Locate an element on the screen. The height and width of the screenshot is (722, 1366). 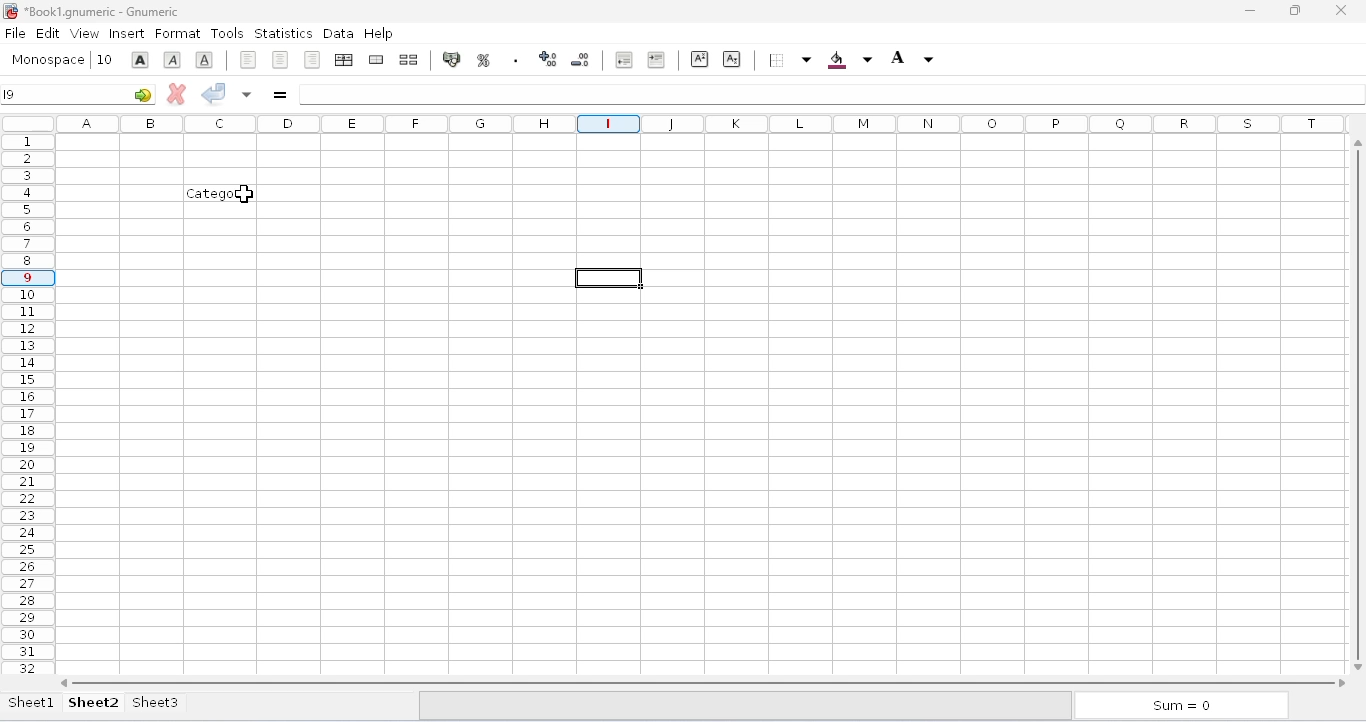
accept changes to multiple cells is located at coordinates (247, 94).